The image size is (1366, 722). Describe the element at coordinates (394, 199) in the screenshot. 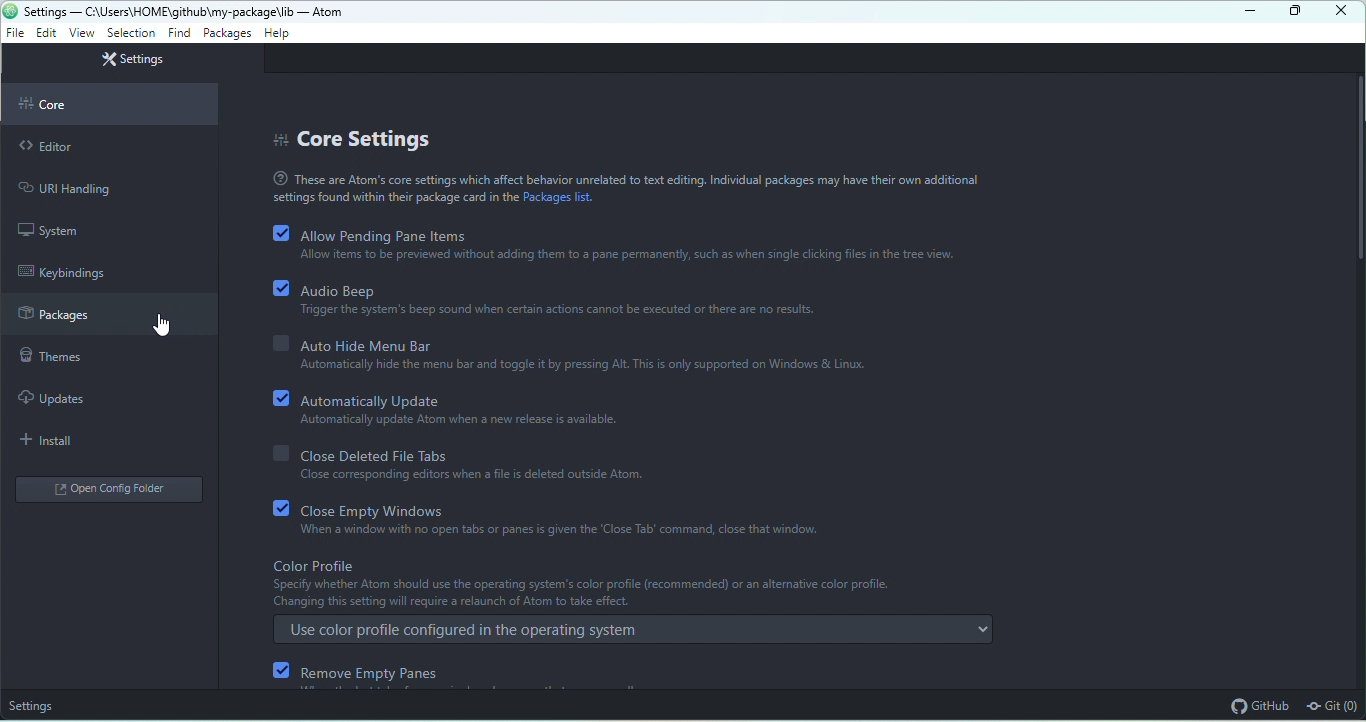

I see `settings found within...` at that location.